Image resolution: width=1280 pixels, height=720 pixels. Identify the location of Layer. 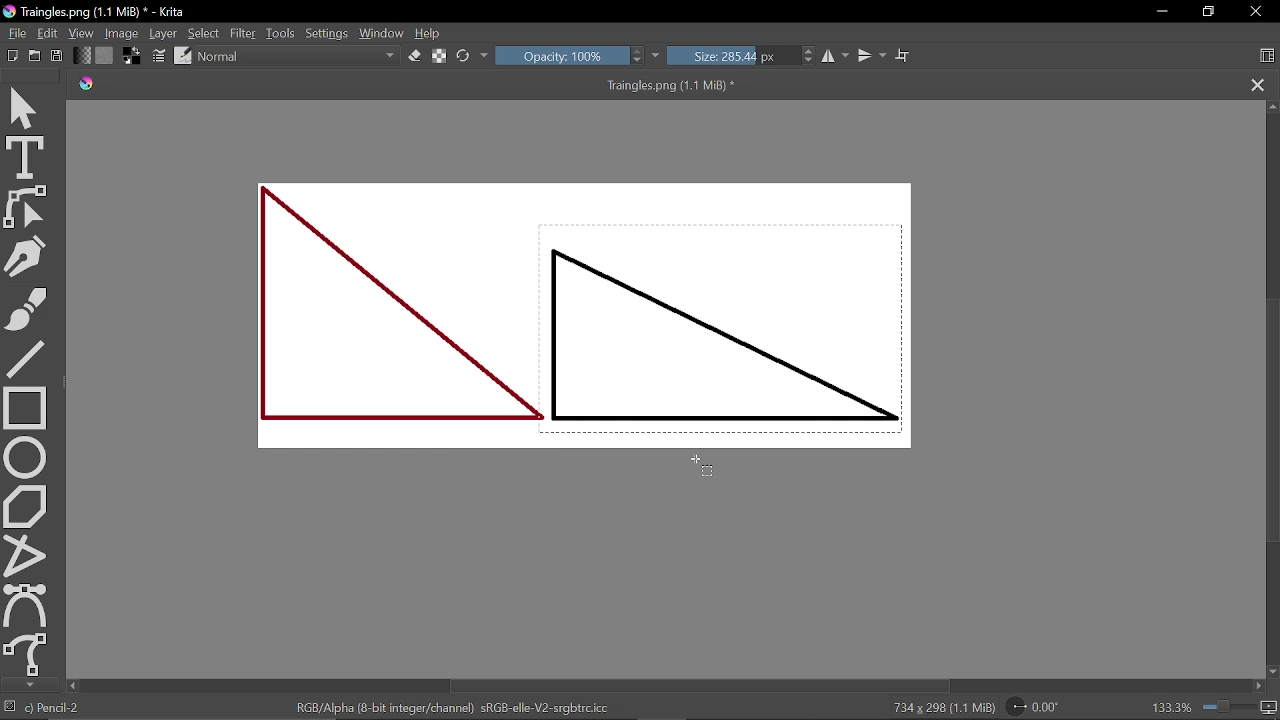
(164, 33).